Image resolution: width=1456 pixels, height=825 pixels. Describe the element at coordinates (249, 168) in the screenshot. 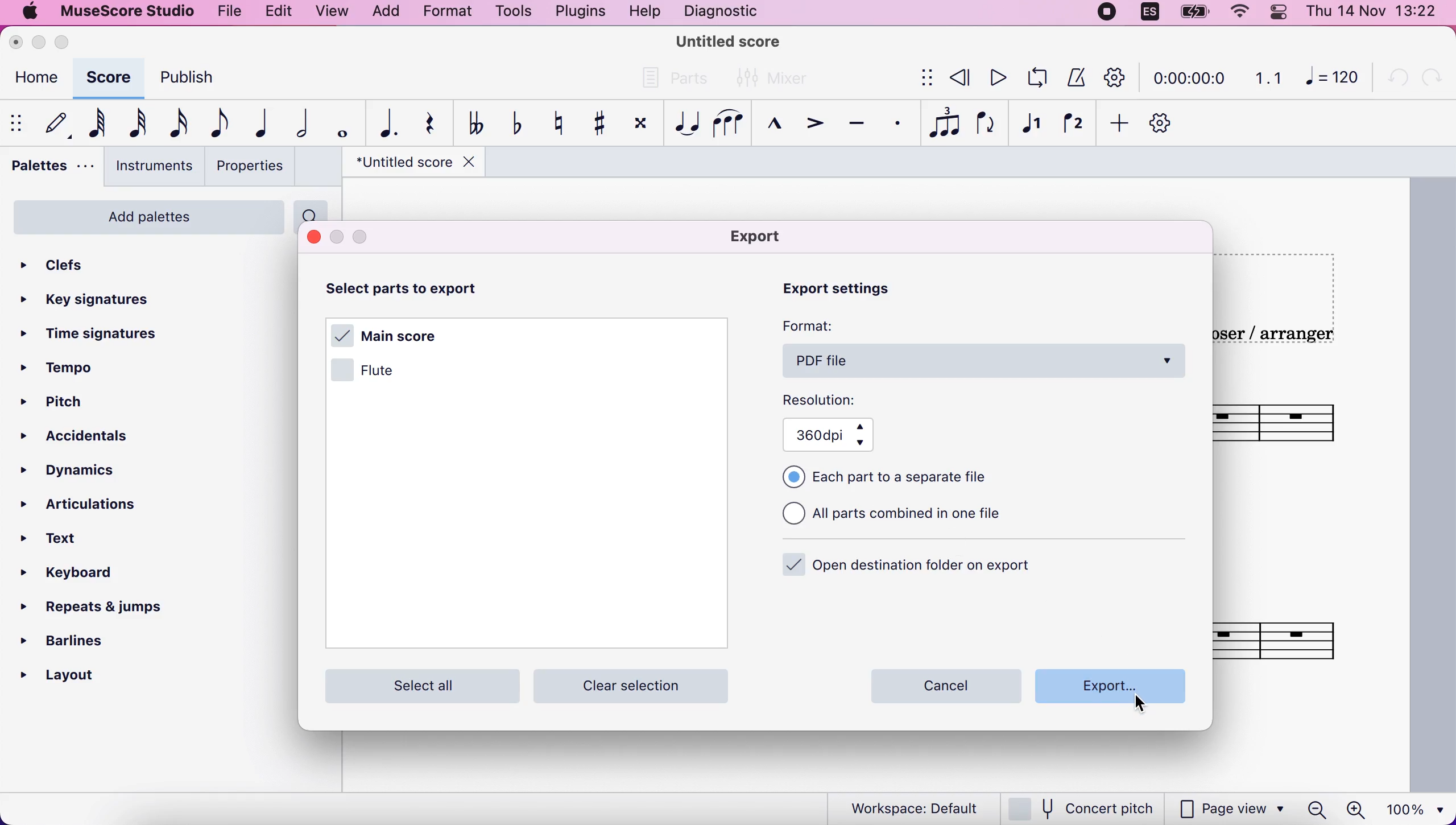

I see `properties` at that location.